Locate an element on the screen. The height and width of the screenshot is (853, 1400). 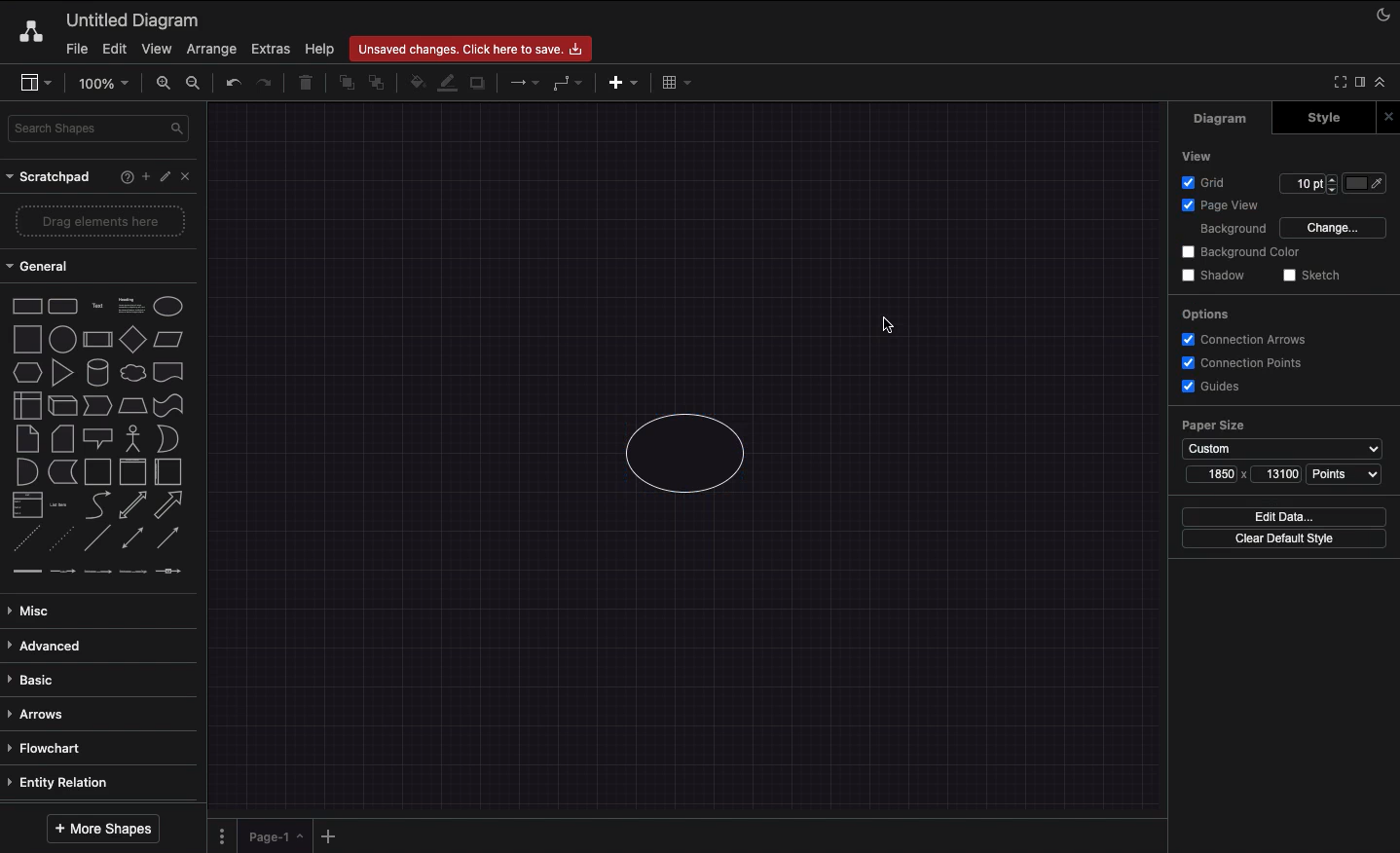
Arrow is located at coordinates (169, 505).